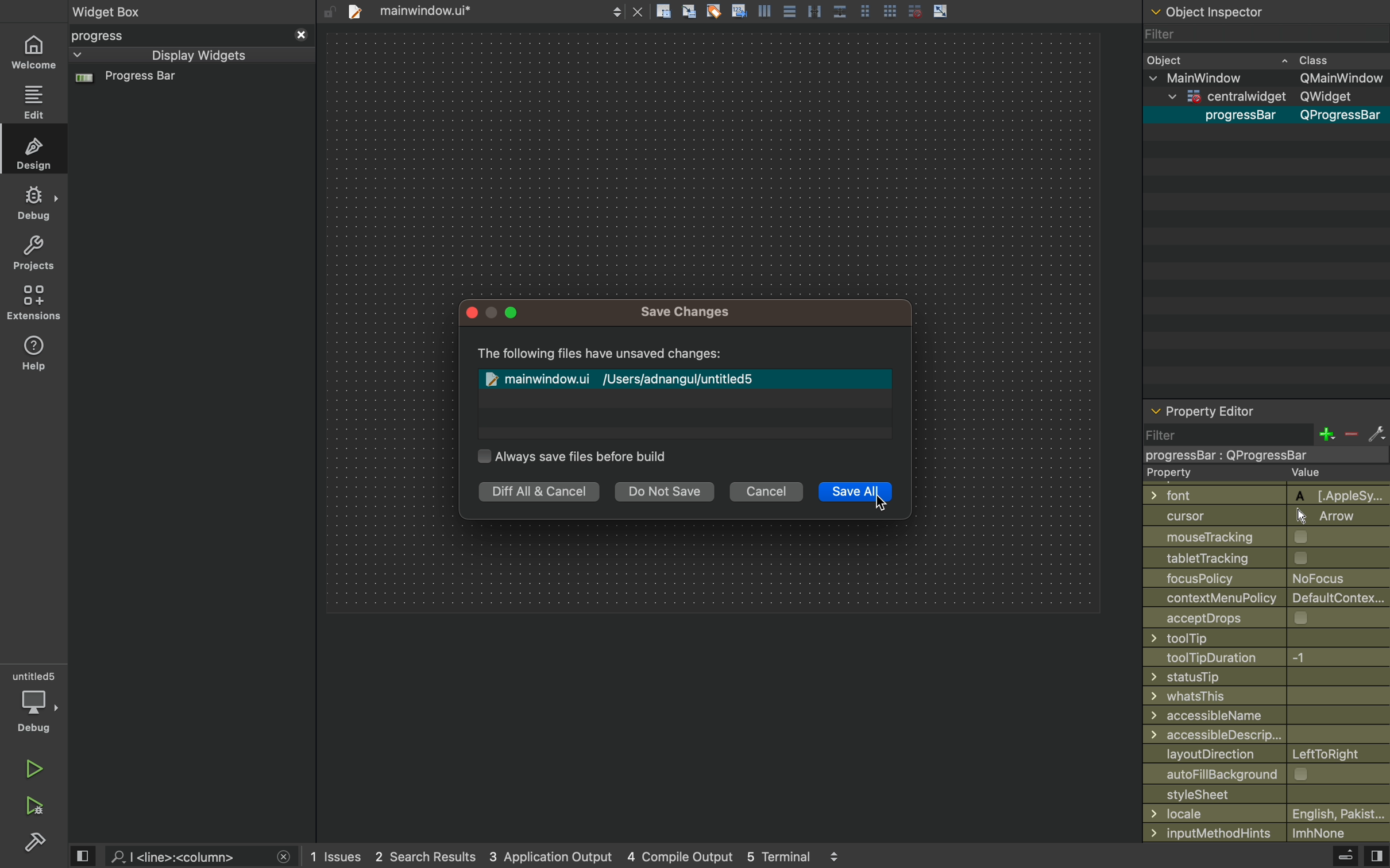 The height and width of the screenshot is (868, 1390). What do you see at coordinates (1267, 793) in the screenshot?
I see `stylesheet` at bounding box center [1267, 793].